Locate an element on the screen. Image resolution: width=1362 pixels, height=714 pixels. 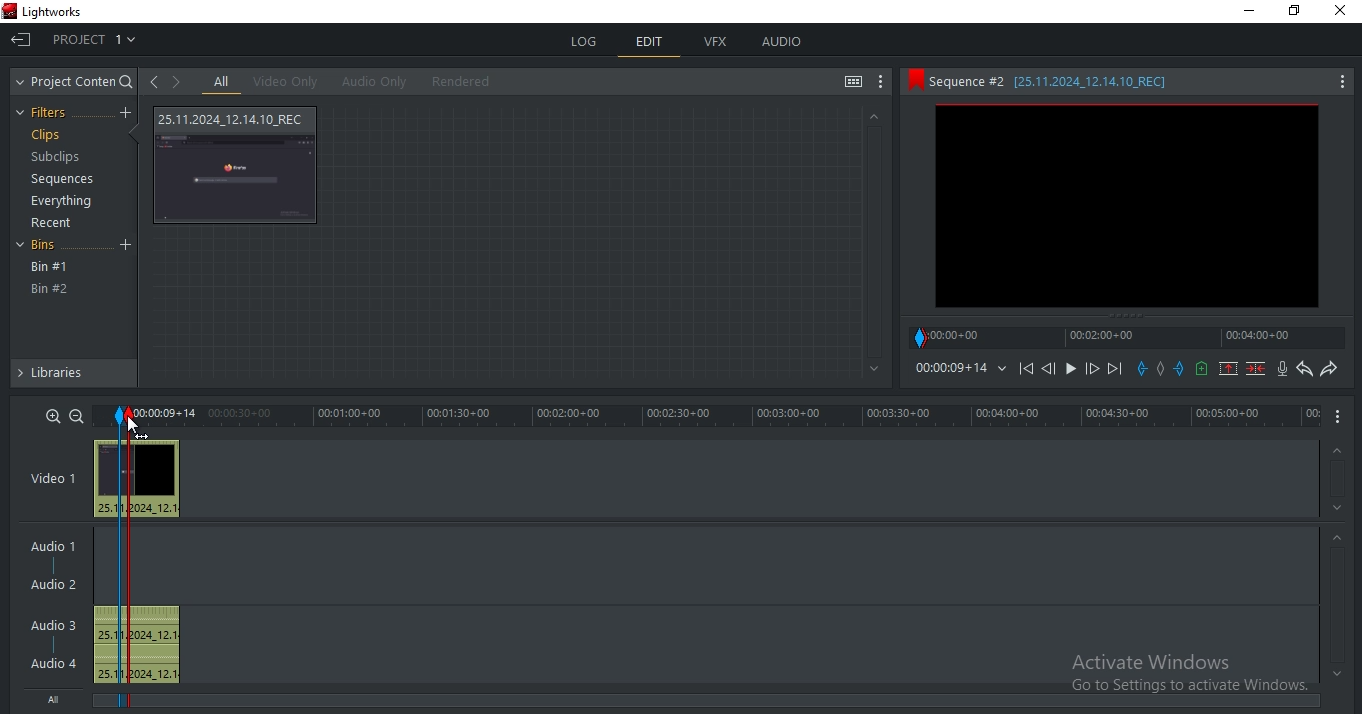
Lightworks Logo is located at coordinates (9, 13).